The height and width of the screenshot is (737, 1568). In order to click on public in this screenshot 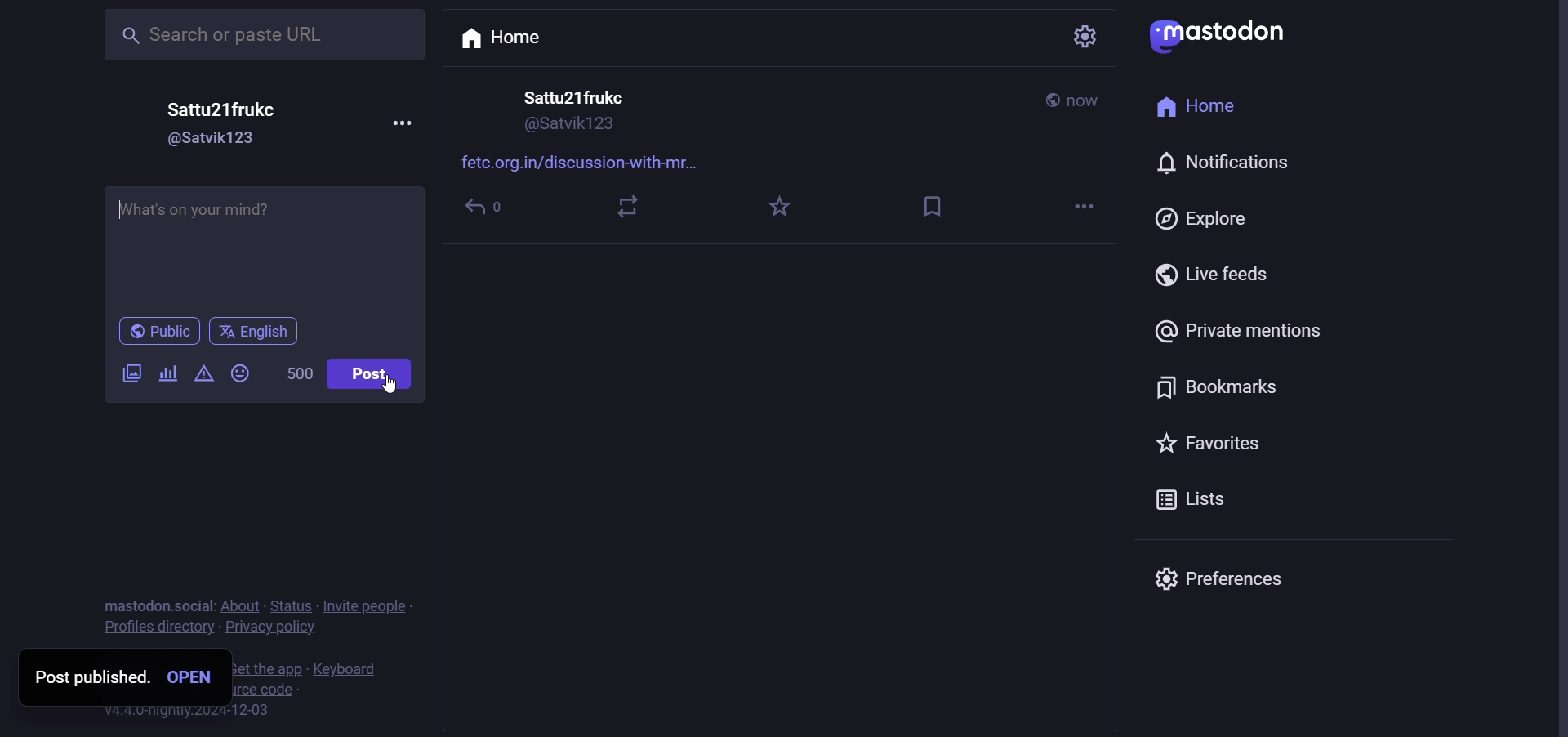, I will do `click(1049, 100)`.